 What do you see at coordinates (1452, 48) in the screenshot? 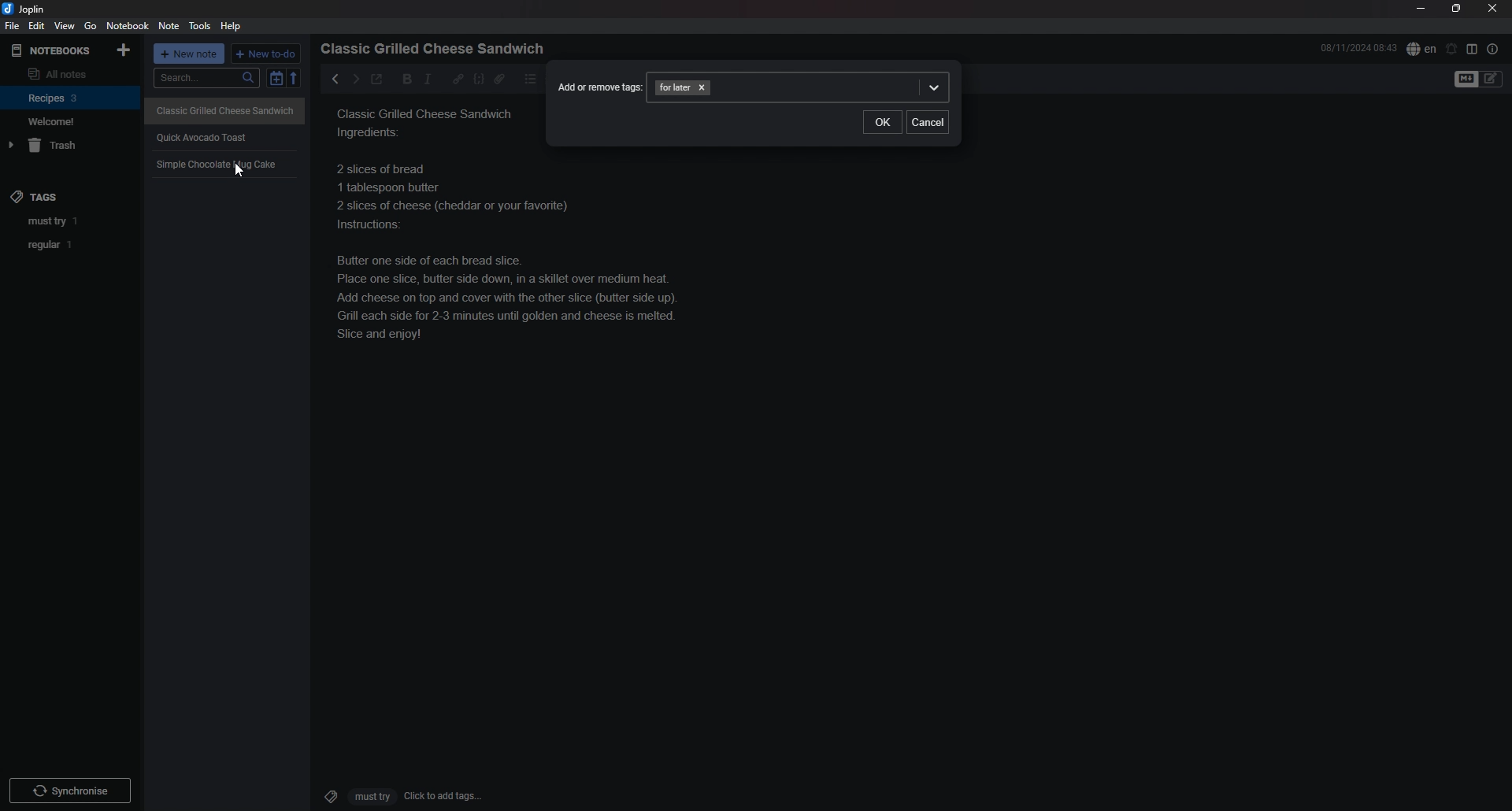
I see `set alarm` at bounding box center [1452, 48].